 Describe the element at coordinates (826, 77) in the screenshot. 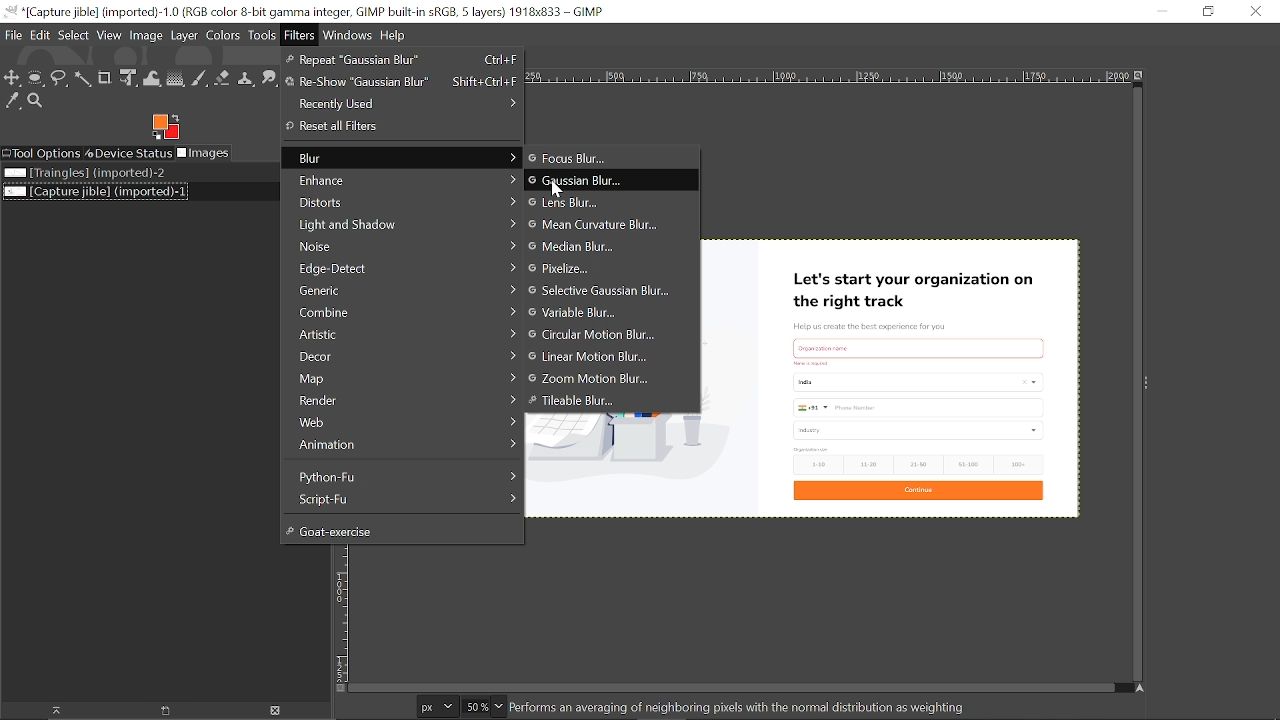

I see `Horizontal label` at that location.